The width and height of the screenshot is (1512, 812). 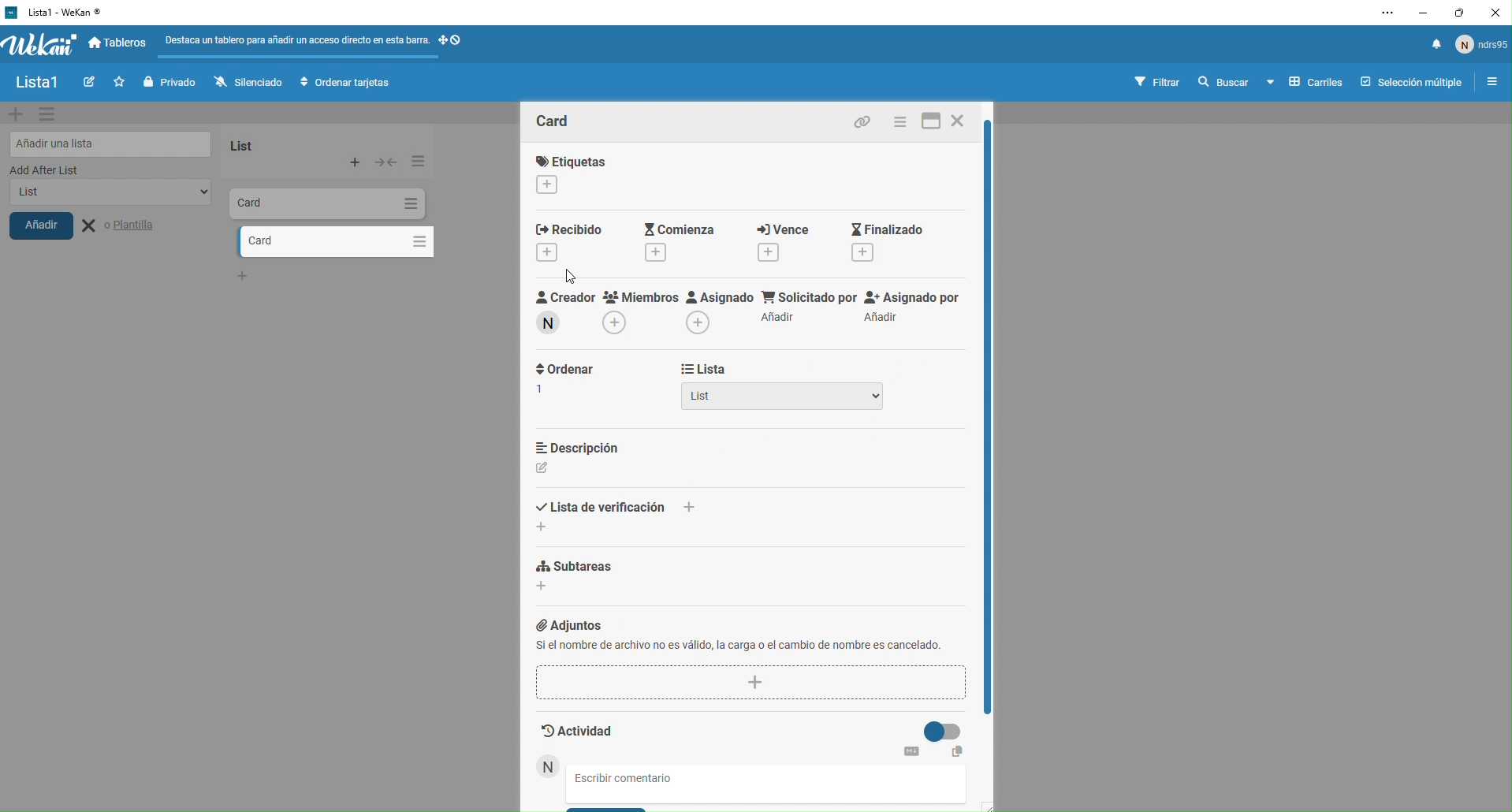 What do you see at coordinates (386, 162) in the screenshot?
I see `Expand` at bounding box center [386, 162].